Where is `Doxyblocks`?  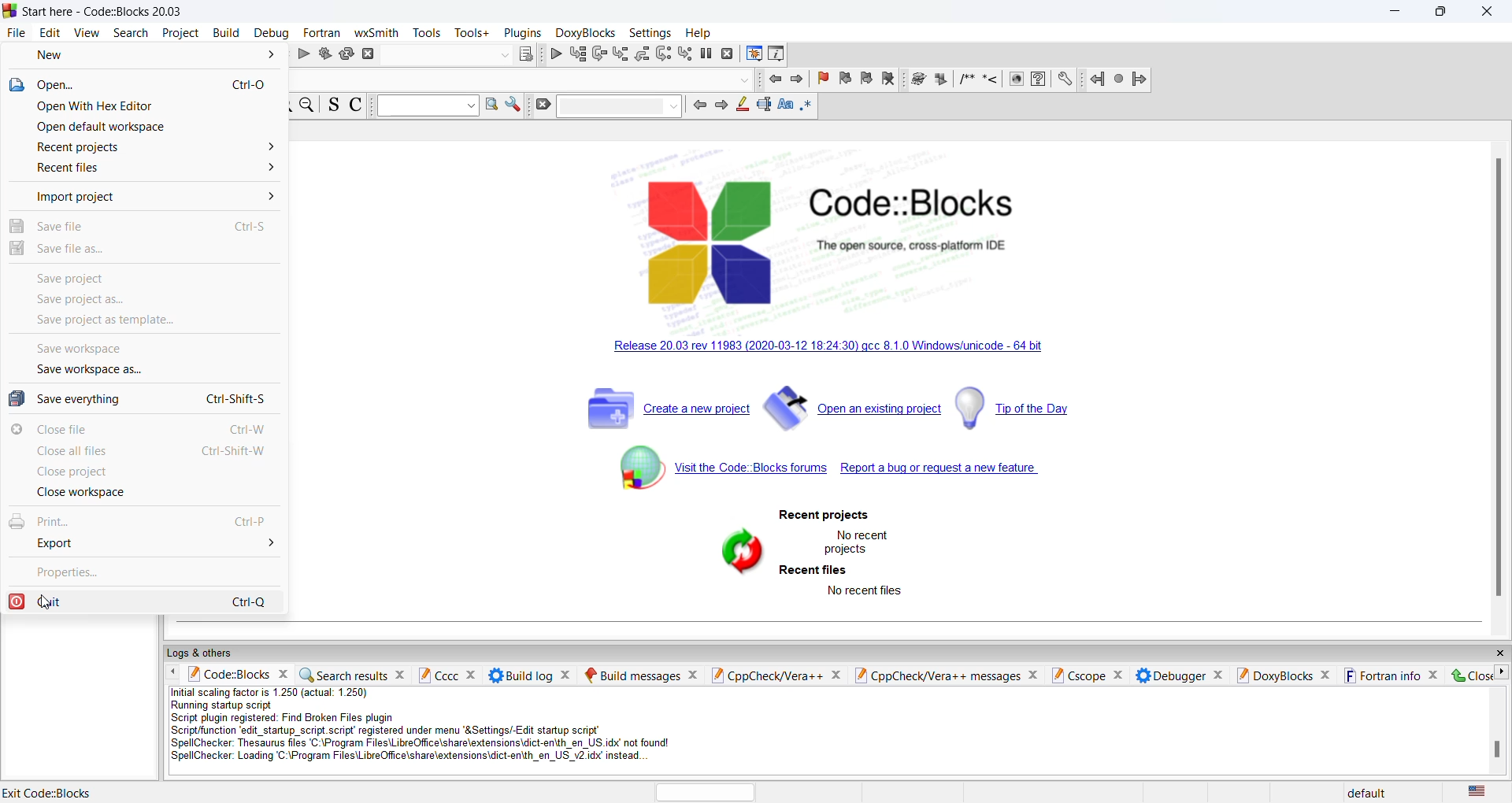
Doxyblocks is located at coordinates (1284, 675).